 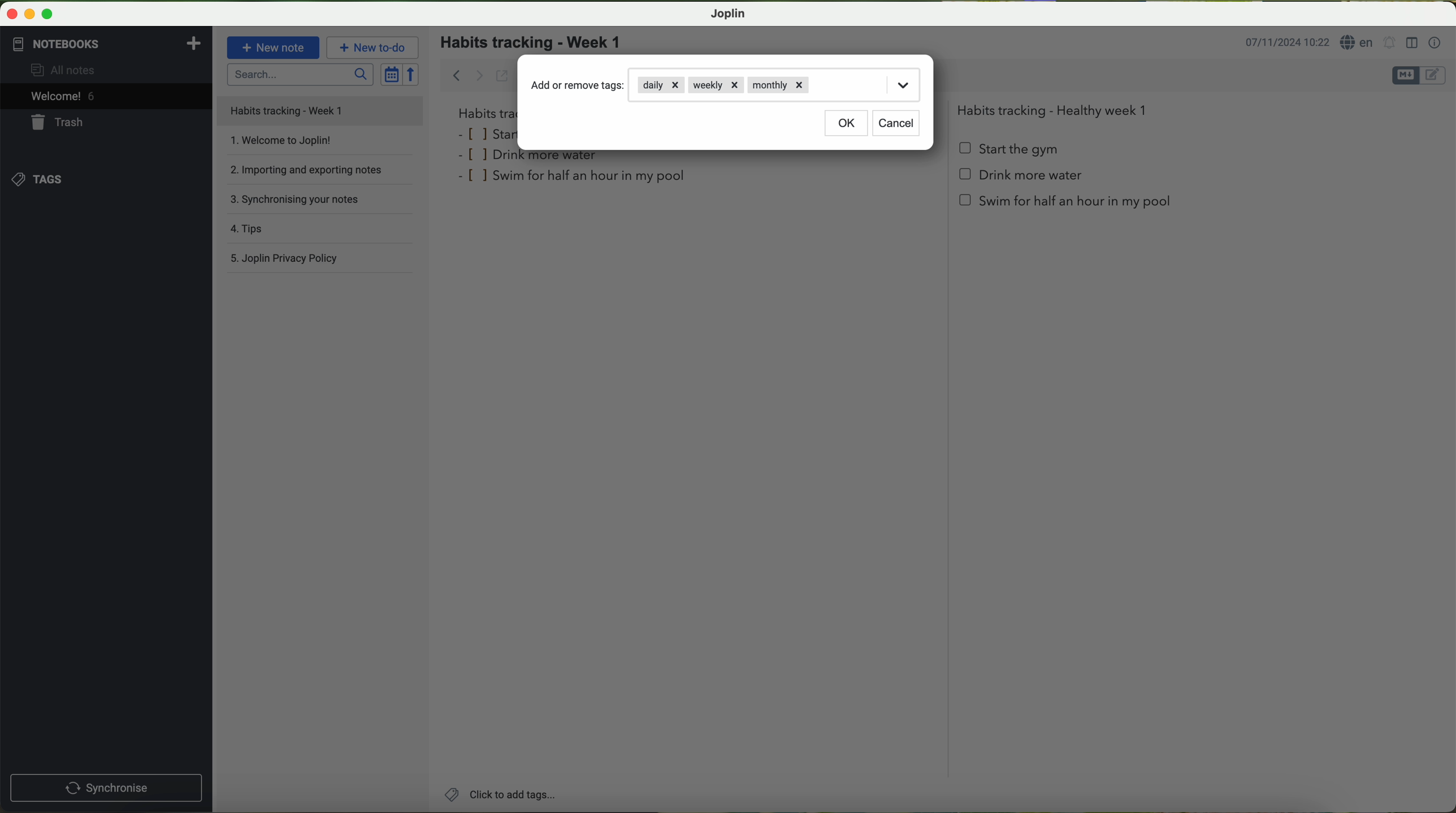 What do you see at coordinates (319, 174) in the screenshot?
I see `importing and exporting notes` at bounding box center [319, 174].